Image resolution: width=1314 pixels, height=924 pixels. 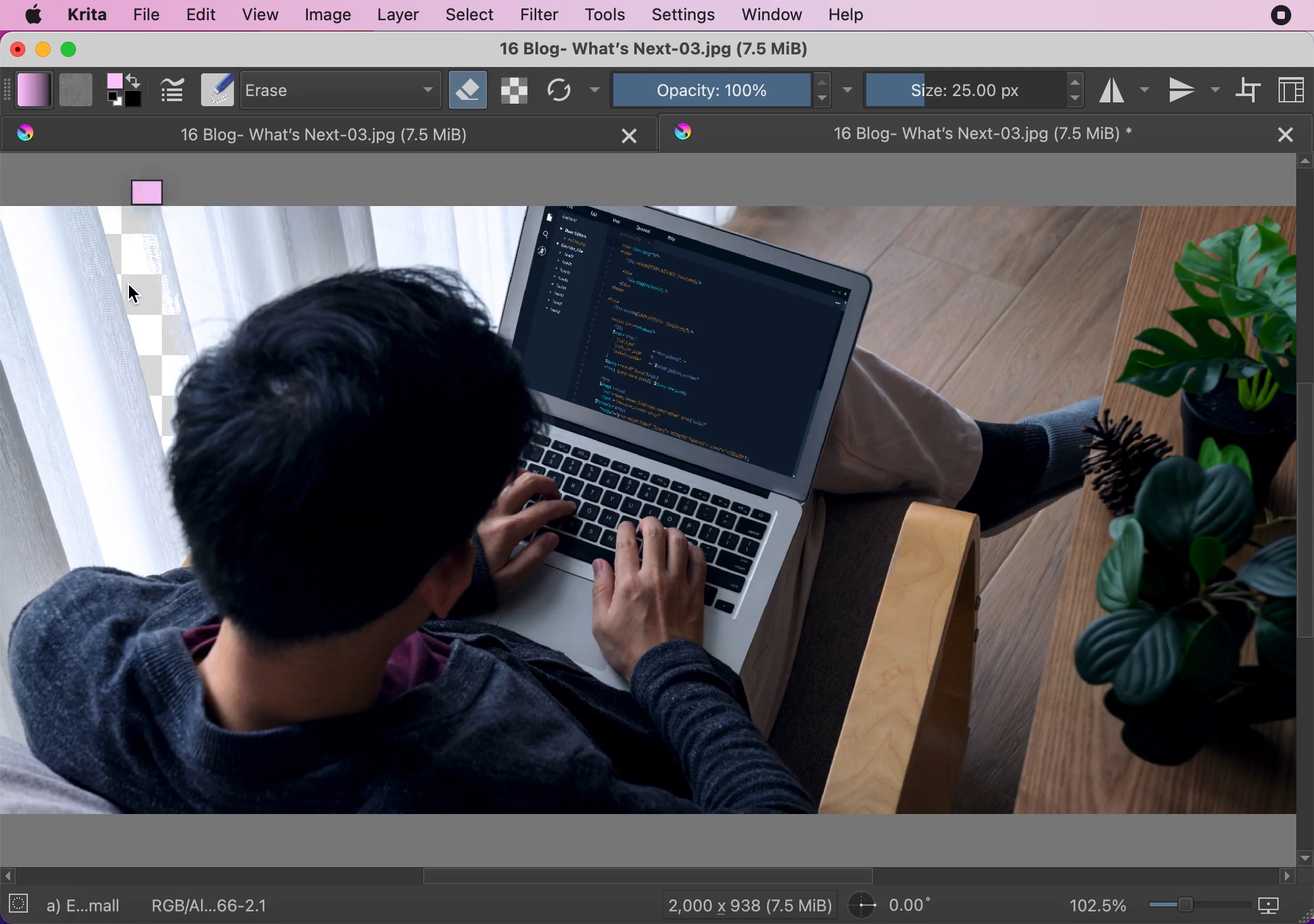 I want to click on mac logo, so click(x=34, y=15).